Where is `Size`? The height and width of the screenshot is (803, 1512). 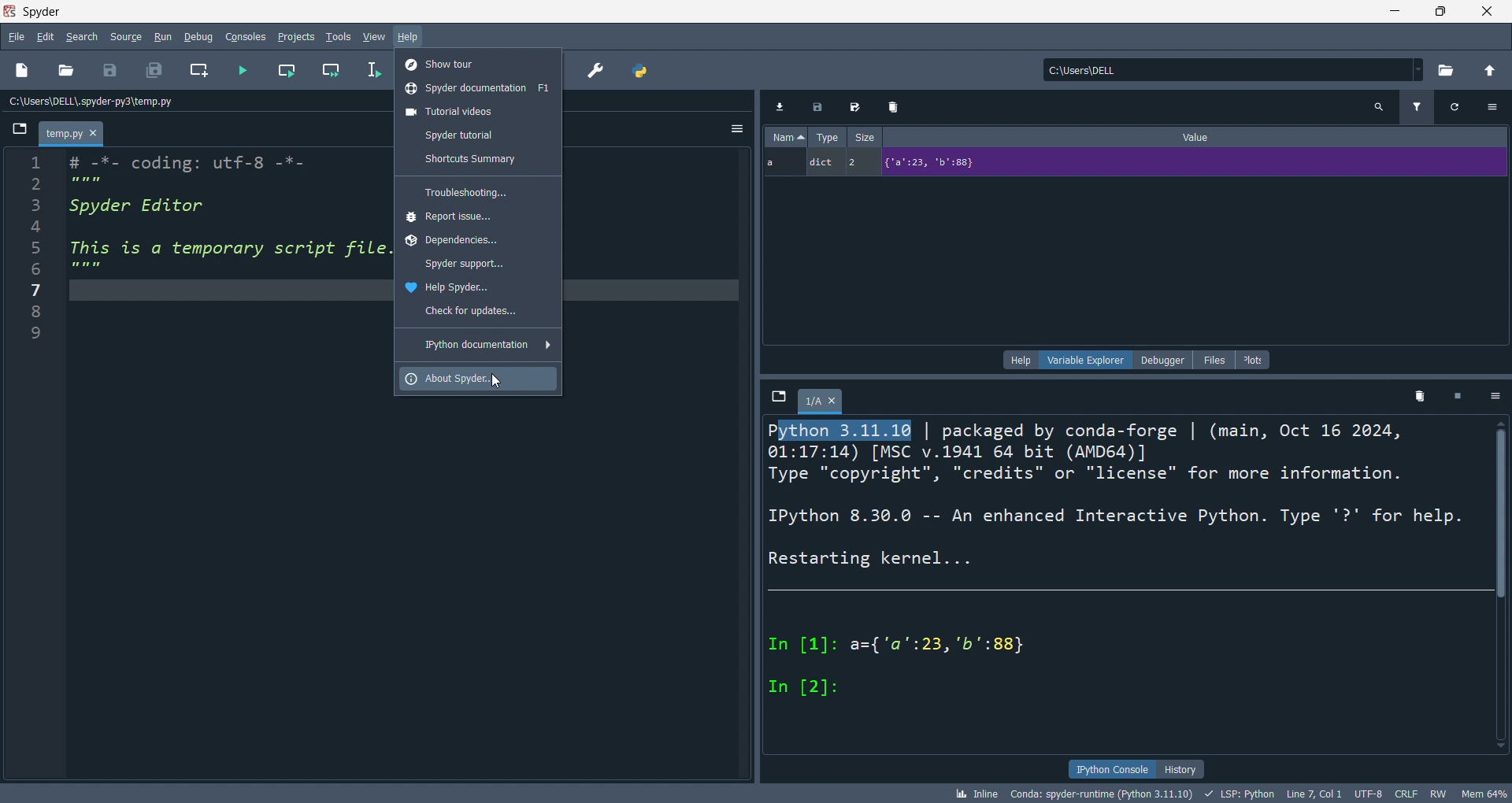 Size is located at coordinates (865, 136).